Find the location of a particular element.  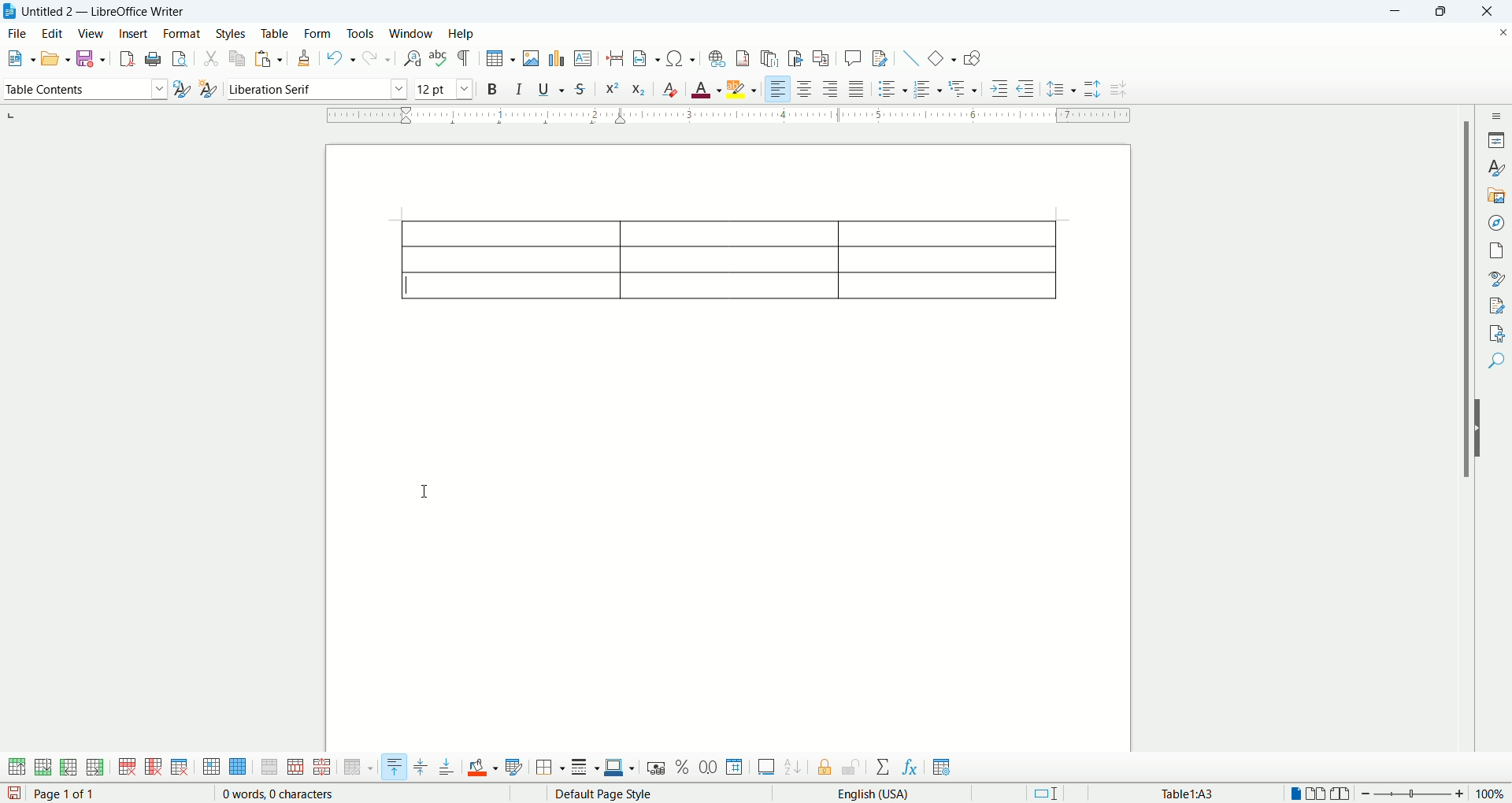

window is located at coordinates (412, 32).